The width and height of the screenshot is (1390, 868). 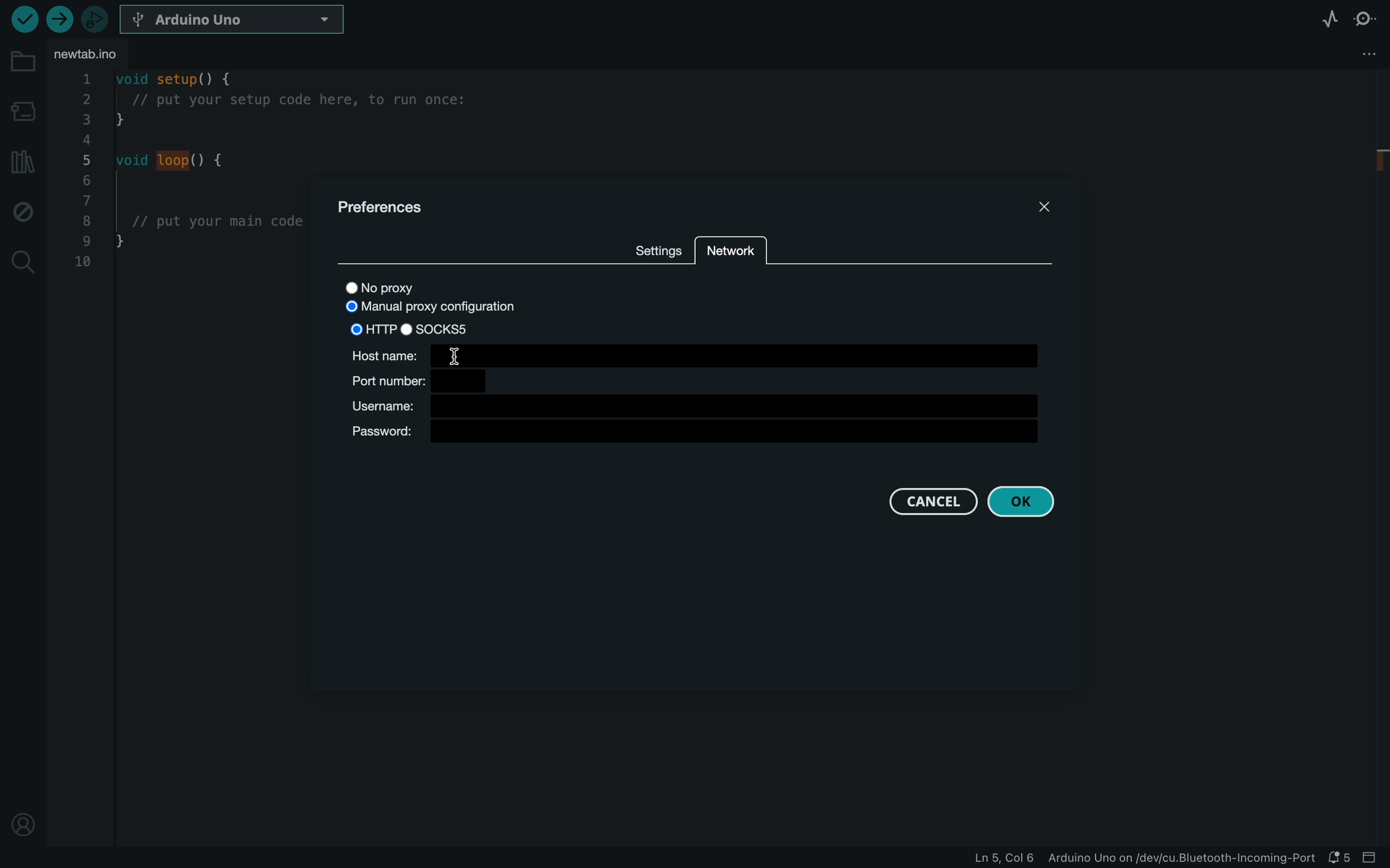 What do you see at coordinates (1372, 858) in the screenshot?
I see `close slide bar` at bounding box center [1372, 858].